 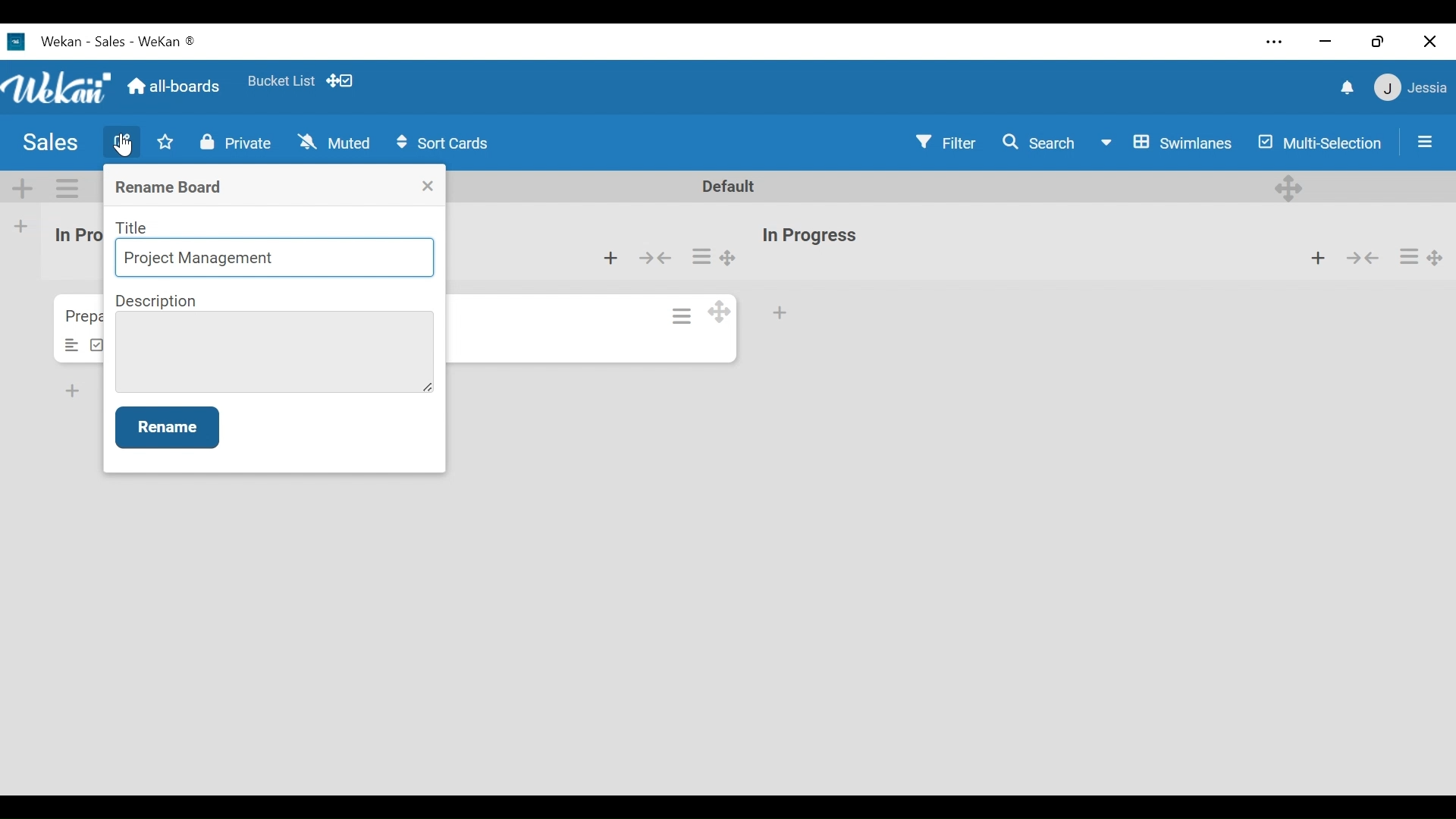 What do you see at coordinates (1429, 43) in the screenshot?
I see `Close` at bounding box center [1429, 43].